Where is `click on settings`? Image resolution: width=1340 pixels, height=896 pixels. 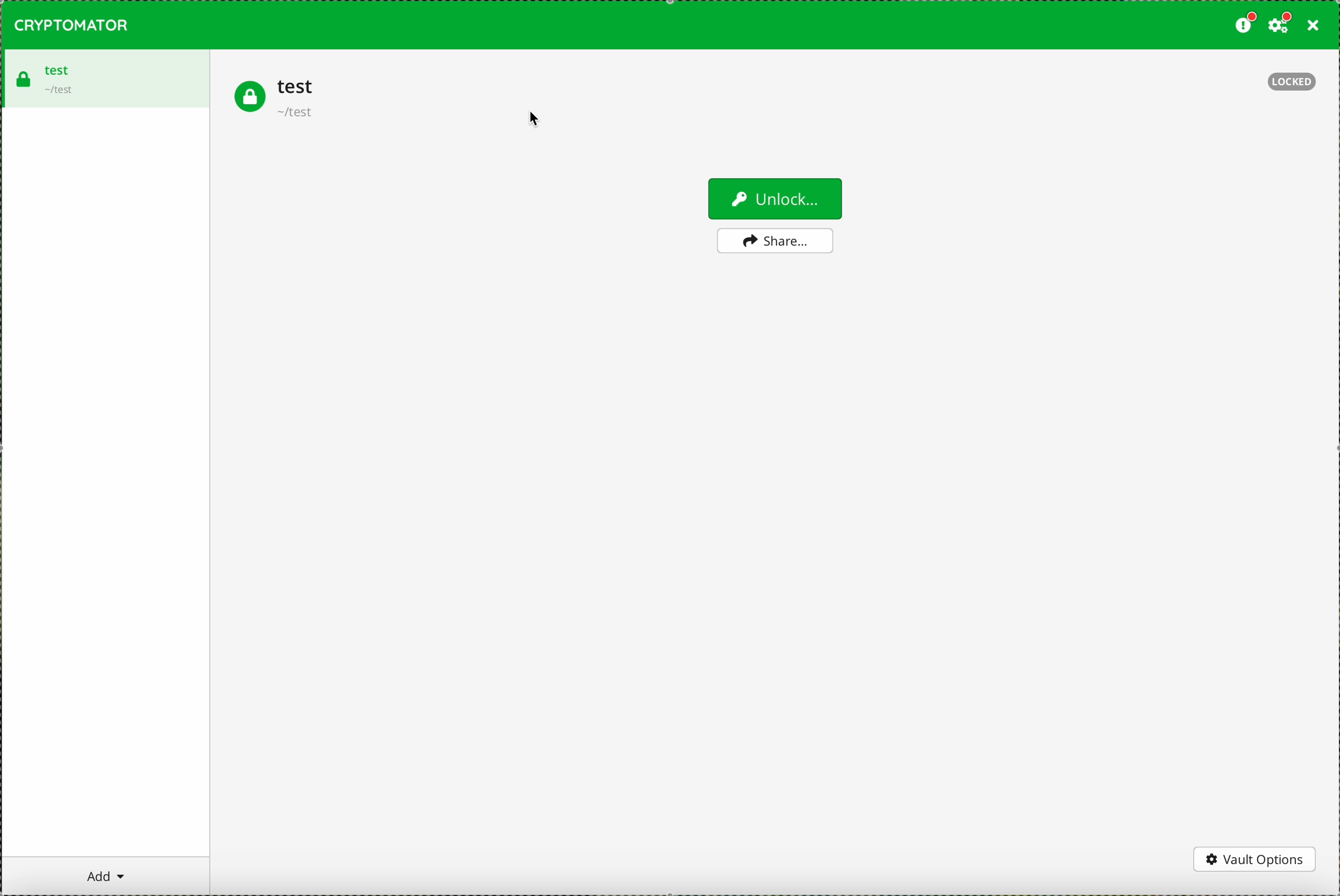
click on settings is located at coordinates (1281, 26).